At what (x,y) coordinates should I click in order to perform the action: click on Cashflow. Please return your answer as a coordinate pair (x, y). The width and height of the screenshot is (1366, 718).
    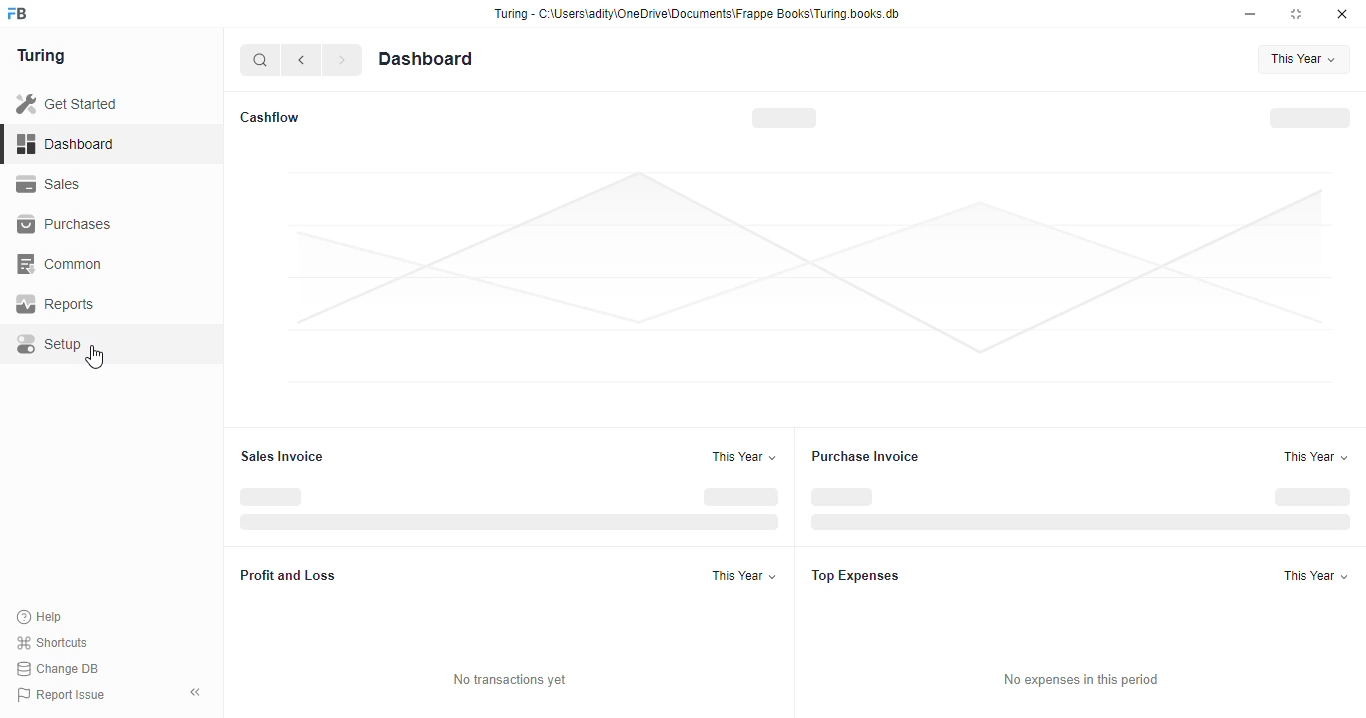
    Looking at the image, I should click on (277, 115).